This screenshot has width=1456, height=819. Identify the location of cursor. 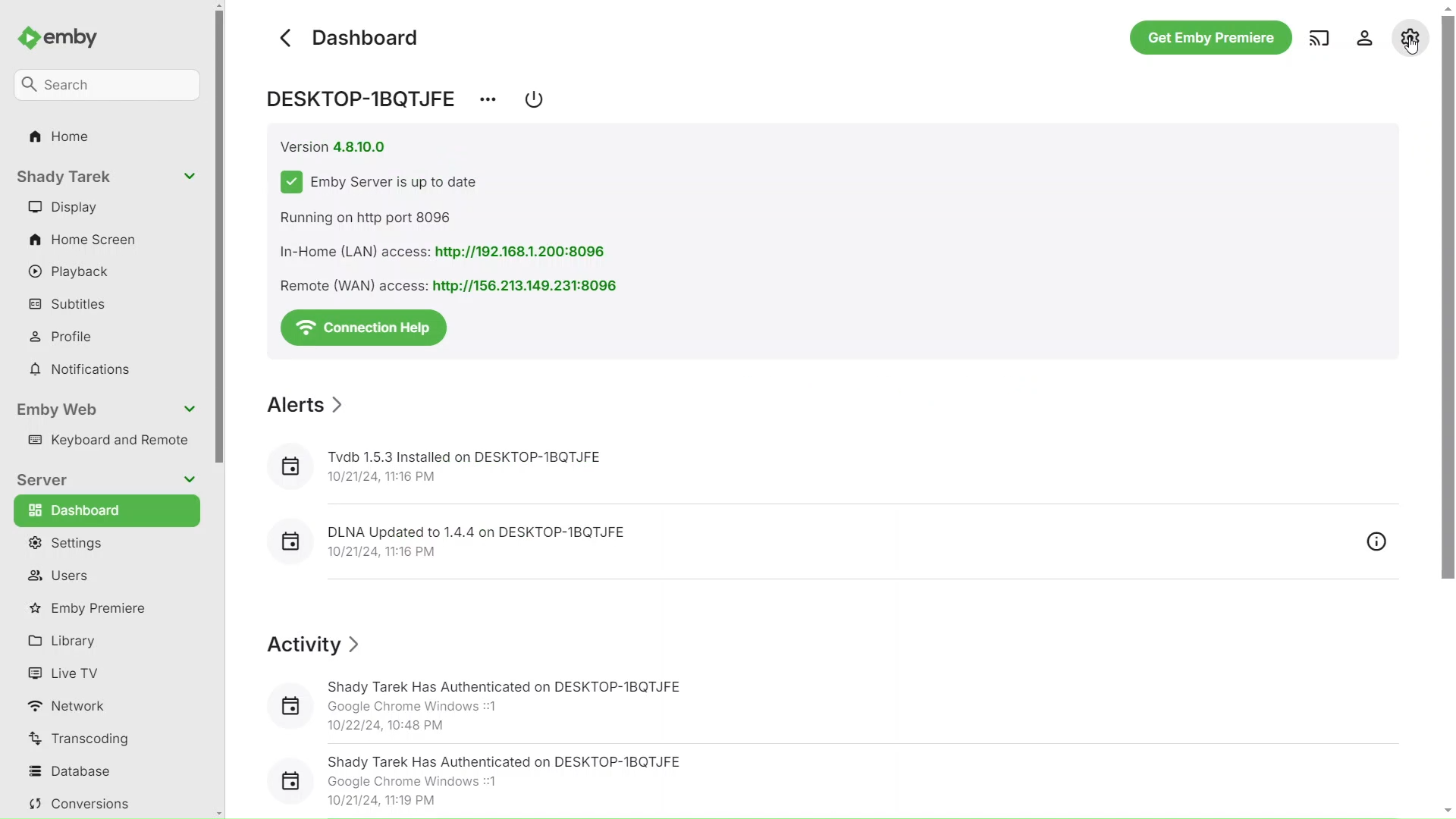
(1411, 46).